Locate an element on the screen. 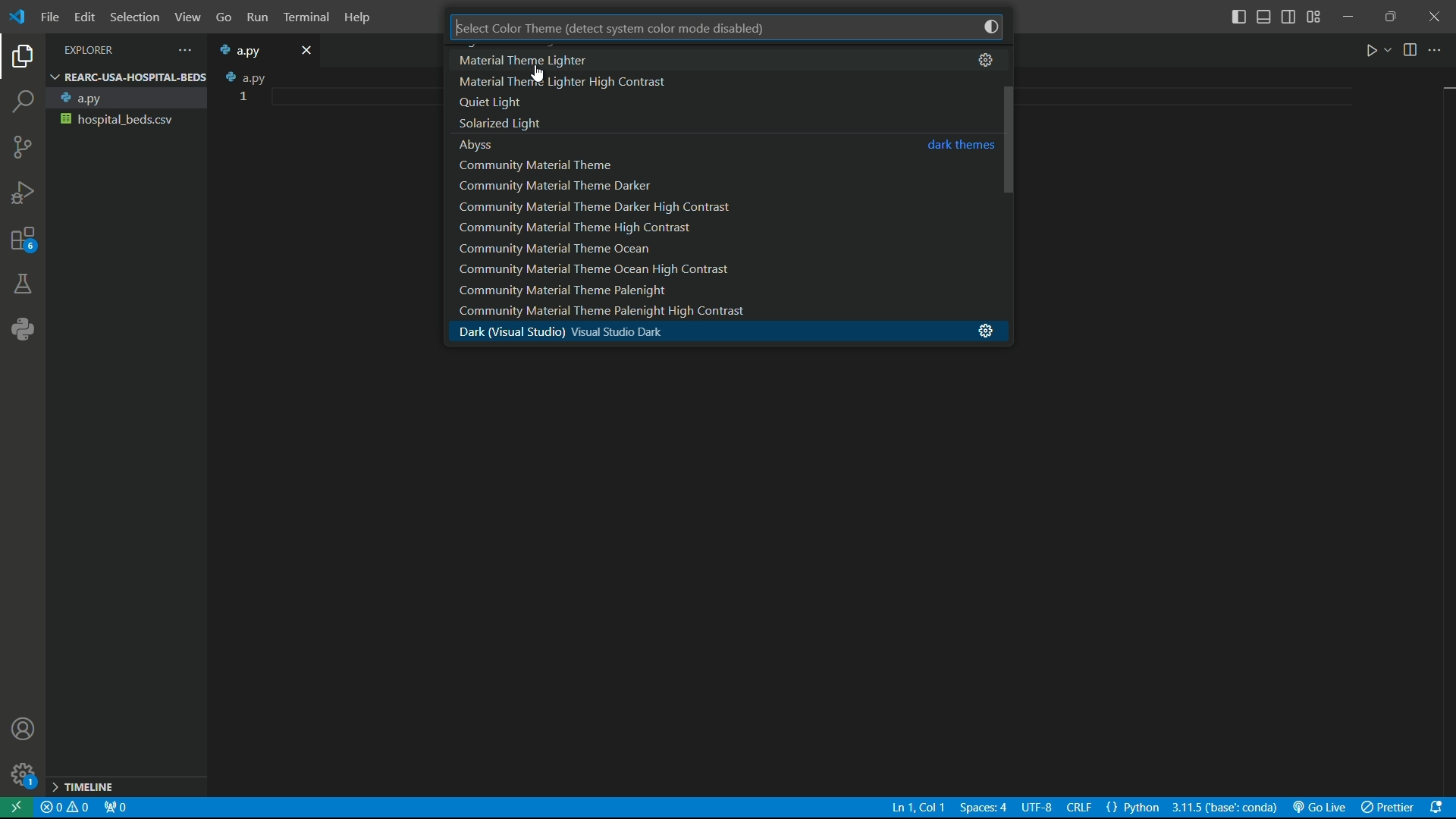 The width and height of the screenshot is (1456, 819). Kelect Color Theme (detect system color mode disabled) is located at coordinates (628, 30).